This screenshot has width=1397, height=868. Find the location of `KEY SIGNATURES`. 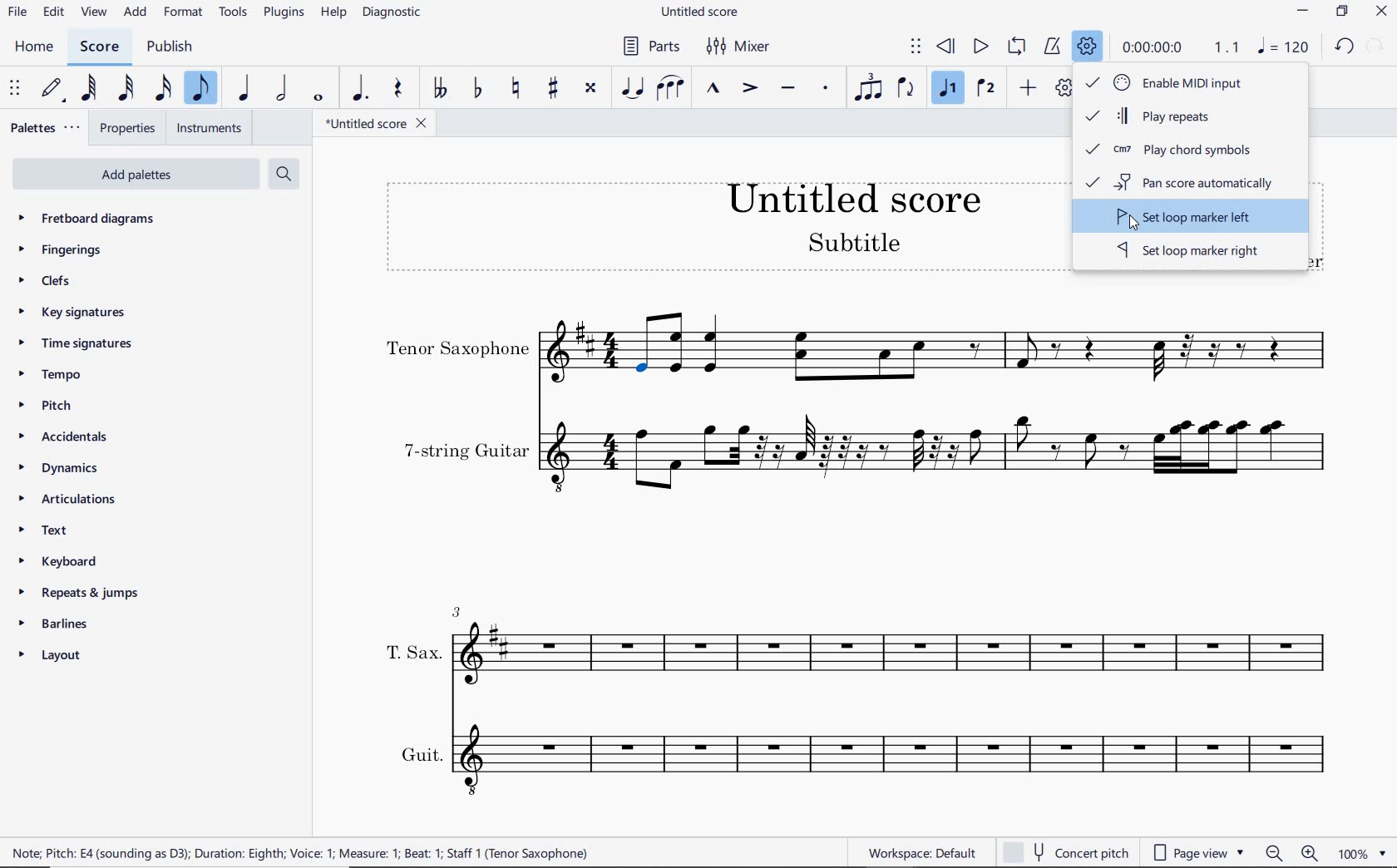

KEY SIGNATURES is located at coordinates (72, 312).